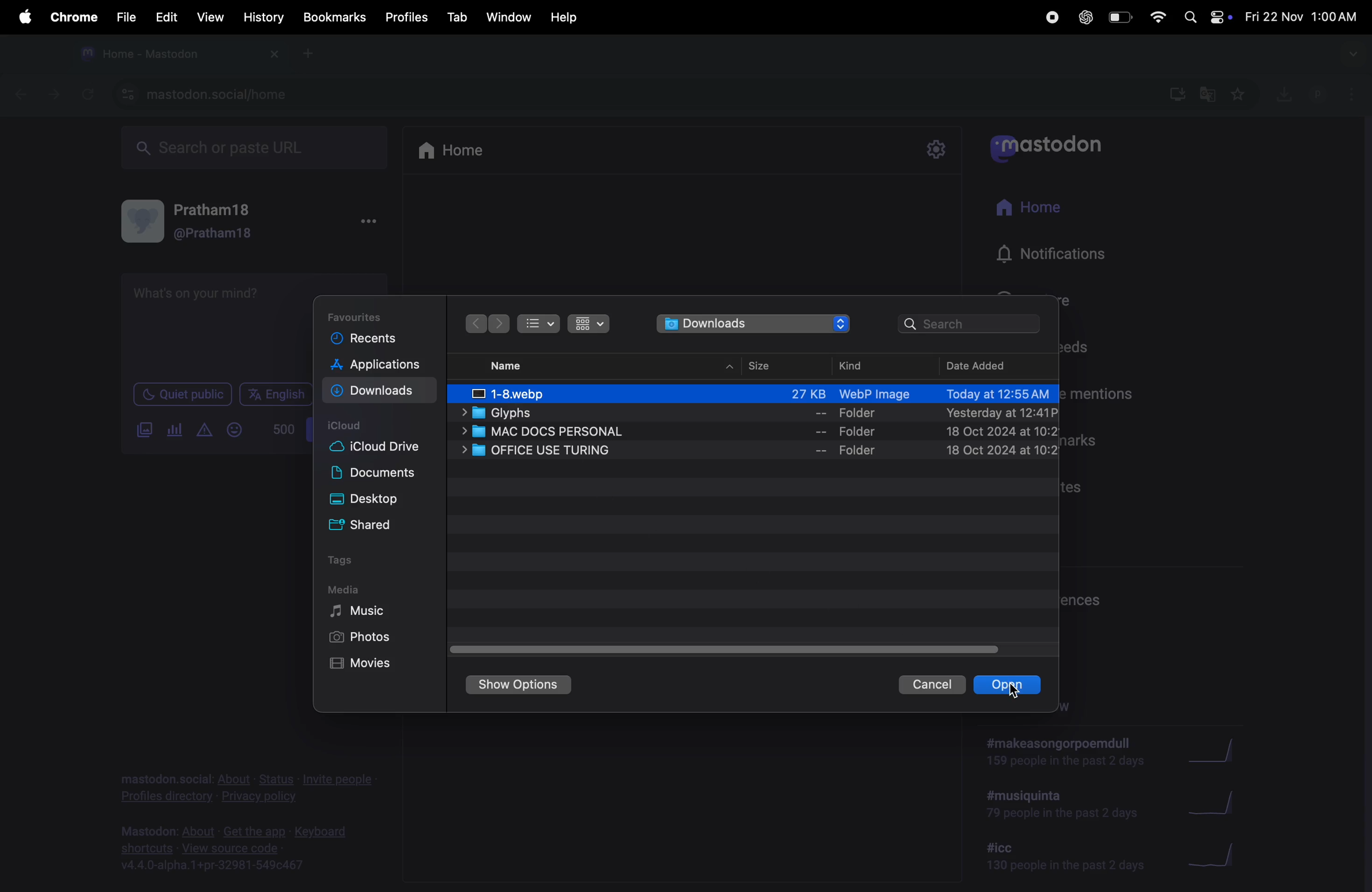 The image size is (1372, 892). I want to click on name, so click(518, 366).